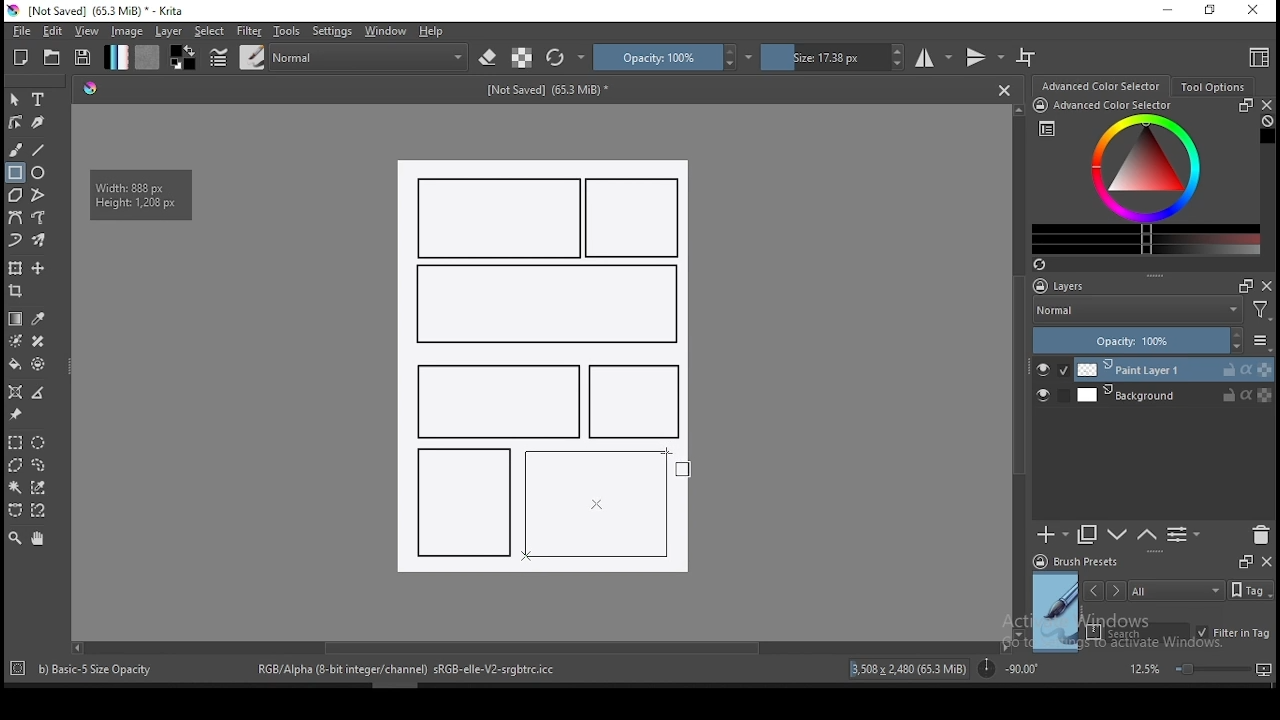 This screenshot has height=720, width=1280. Describe the element at coordinates (90, 88) in the screenshot. I see `Hue` at that location.